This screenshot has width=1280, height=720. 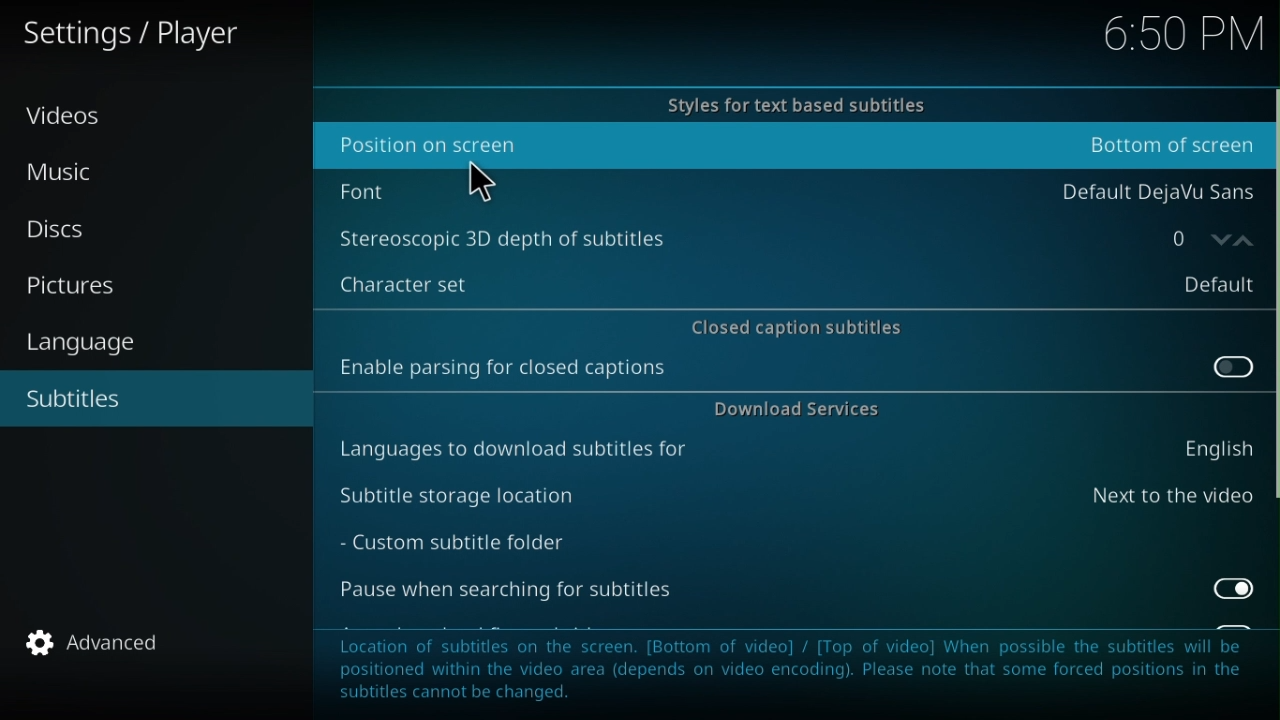 What do you see at coordinates (799, 594) in the screenshot?
I see `Pause when searching for subtitles` at bounding box center [799, 594].